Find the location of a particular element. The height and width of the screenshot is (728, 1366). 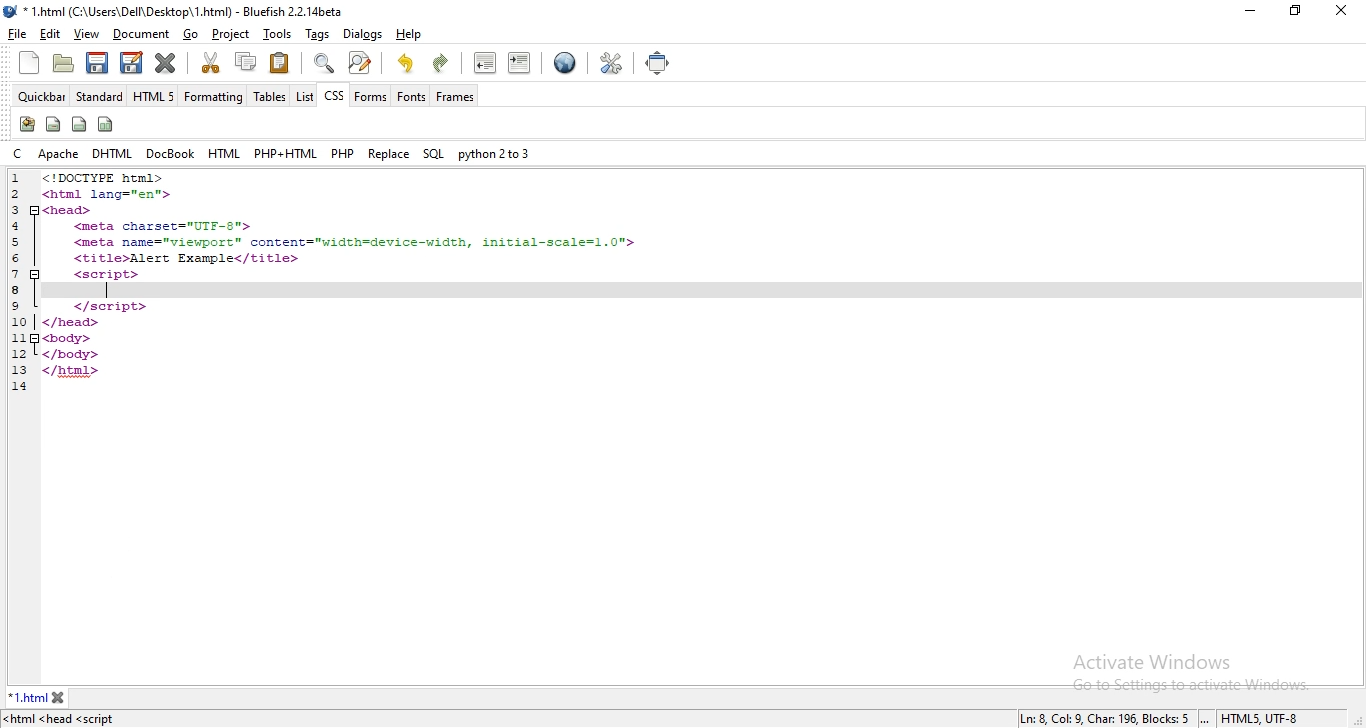

HTMLS, UTF-8 is located at coordinates (1261, 719).